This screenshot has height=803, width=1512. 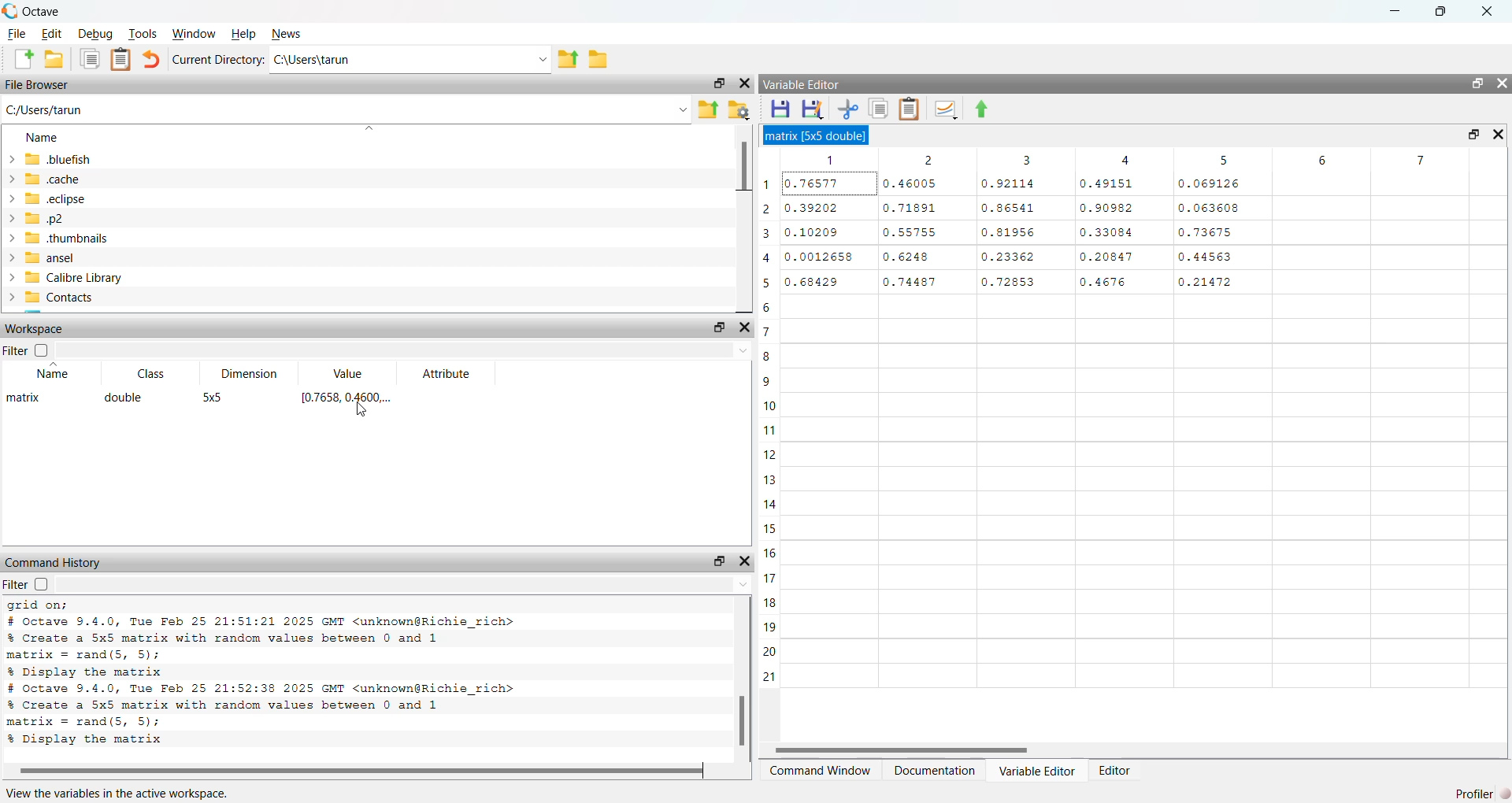 I want to click on Attribute, so click(x=446, y=373).